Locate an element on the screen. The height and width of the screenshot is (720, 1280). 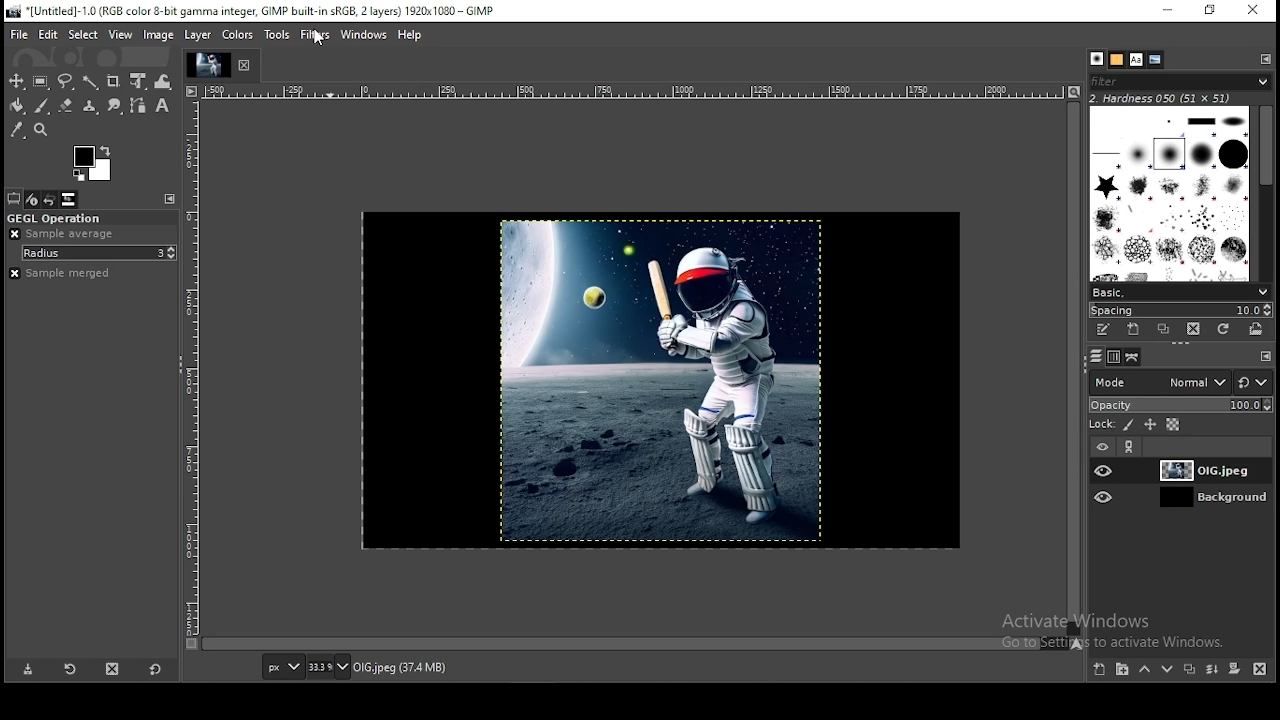
tools is located at coordinates (276, 35).